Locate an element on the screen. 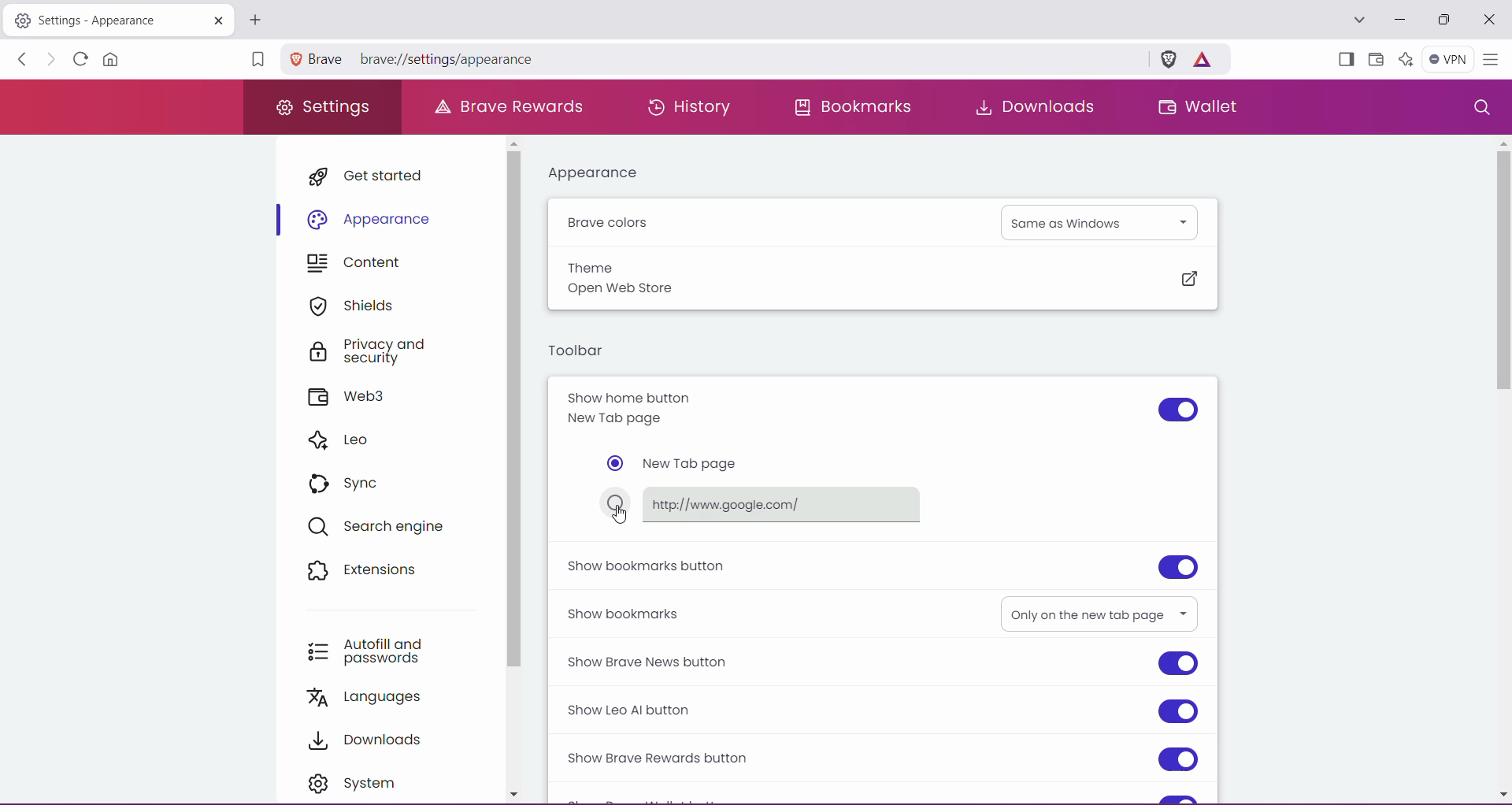 The image size is (1512, 805). Brave Firewall + VPN is located at coordinates (1447, 57).